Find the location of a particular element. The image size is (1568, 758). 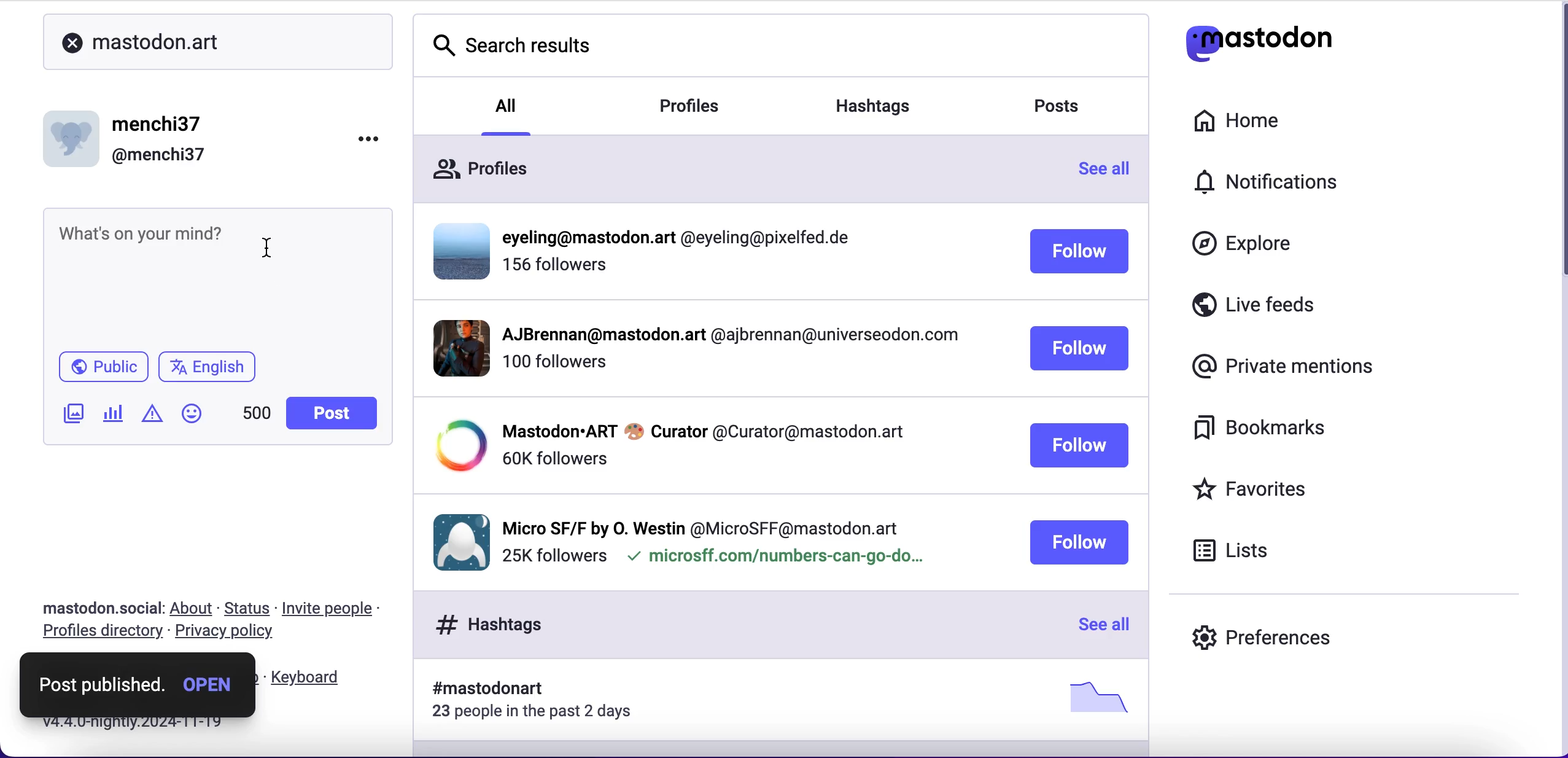

hashtag is located at coordinates (480, 689).